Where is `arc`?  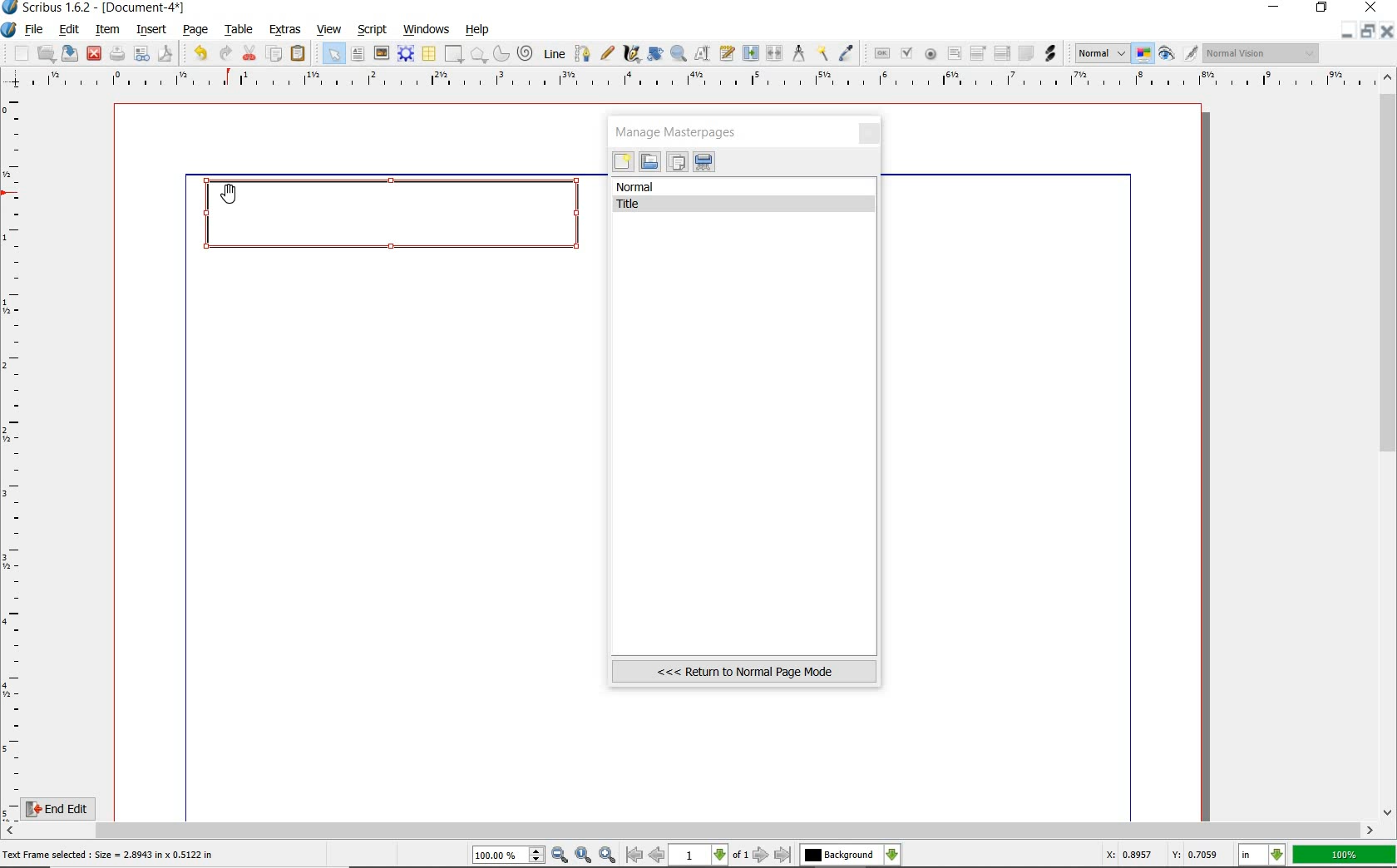 arc is located at coordinates (500, 53).